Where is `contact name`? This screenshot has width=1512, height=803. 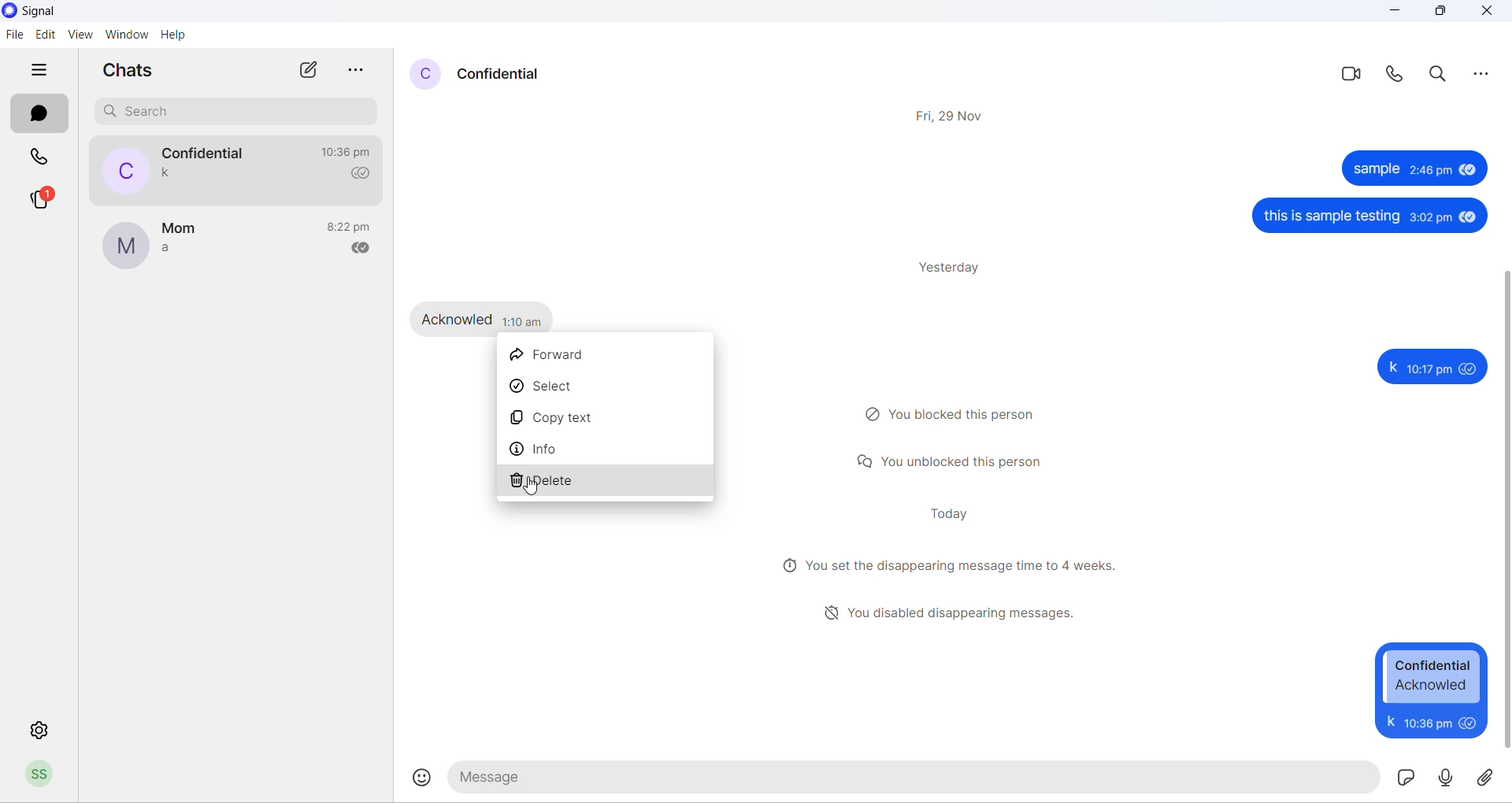
contact name is located at coordinates (180, 230).